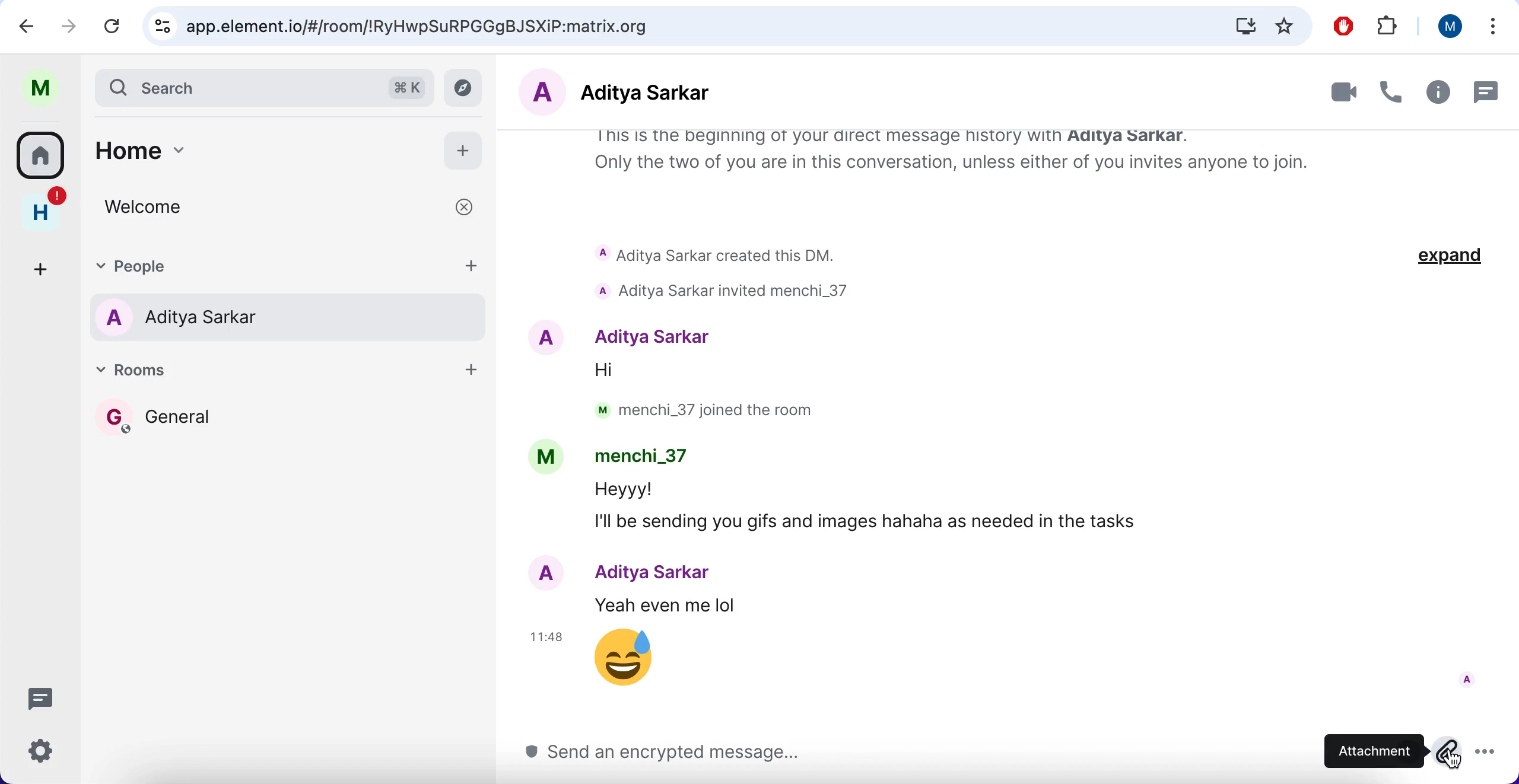  Describe the element at coordinates (1494, 753) in the screenshot. I see `more options` at that location.